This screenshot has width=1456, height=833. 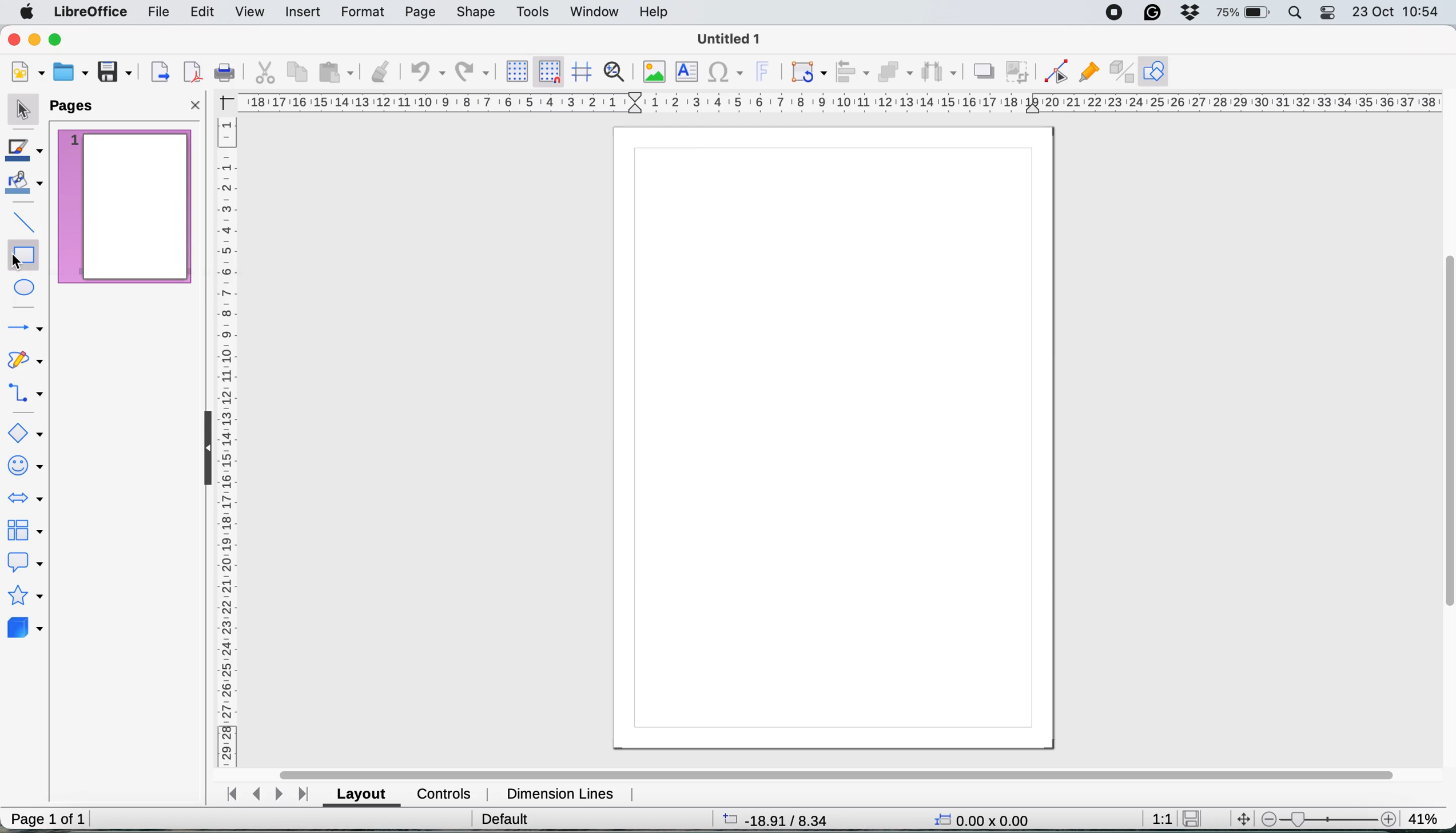 I want to click on 3d objects, so click(x=26, y=630).